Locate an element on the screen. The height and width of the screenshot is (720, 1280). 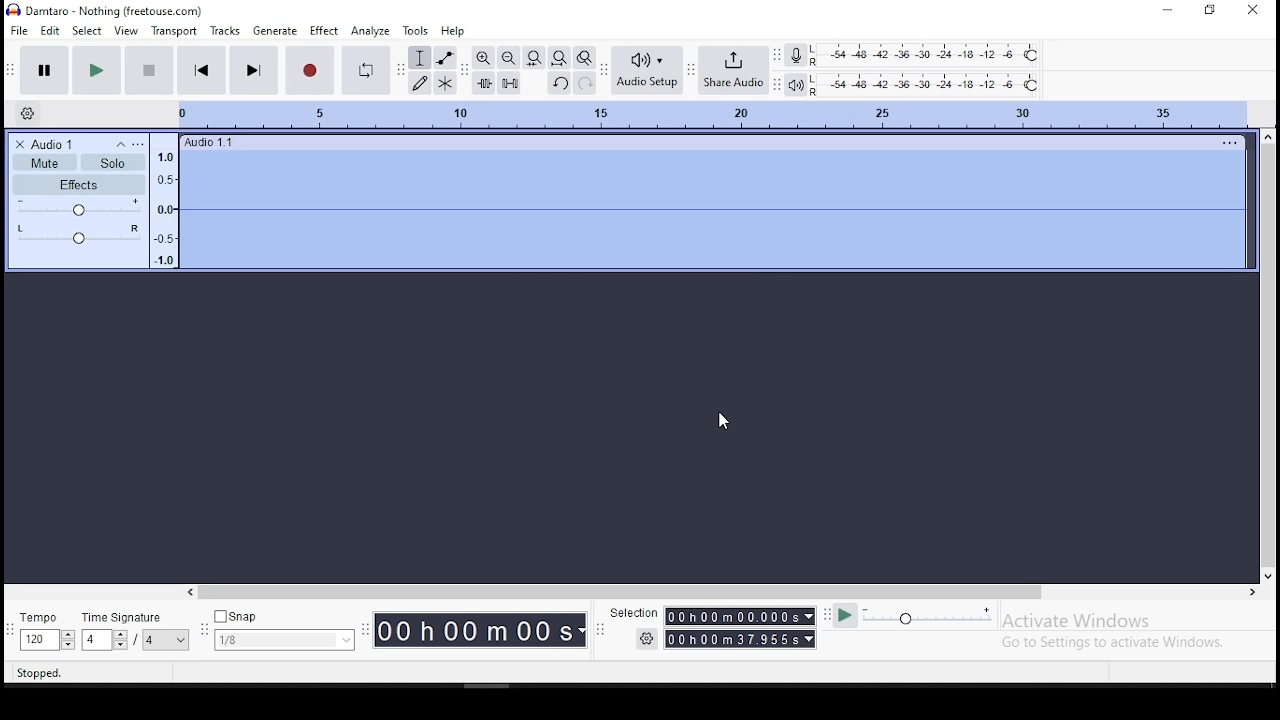
Timer is located at coordinates (485, 634).